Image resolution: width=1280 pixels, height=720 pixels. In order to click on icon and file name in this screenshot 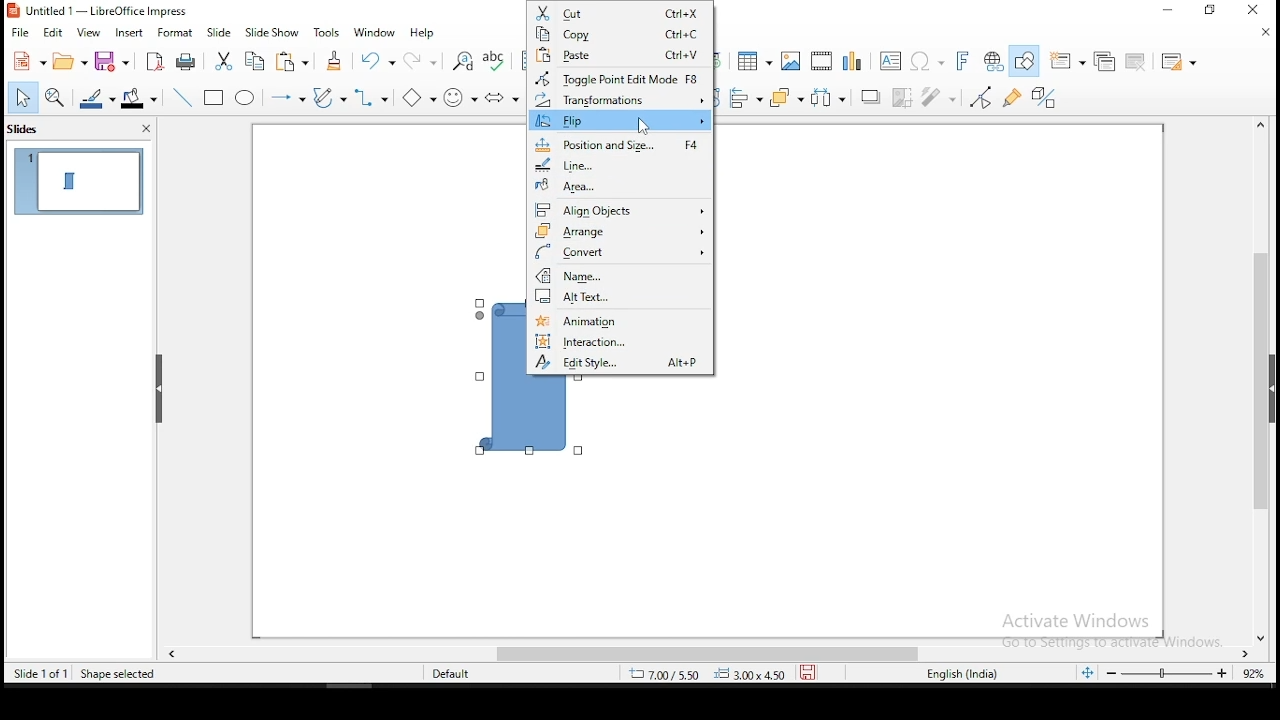, I will do `click(111, 11)`.